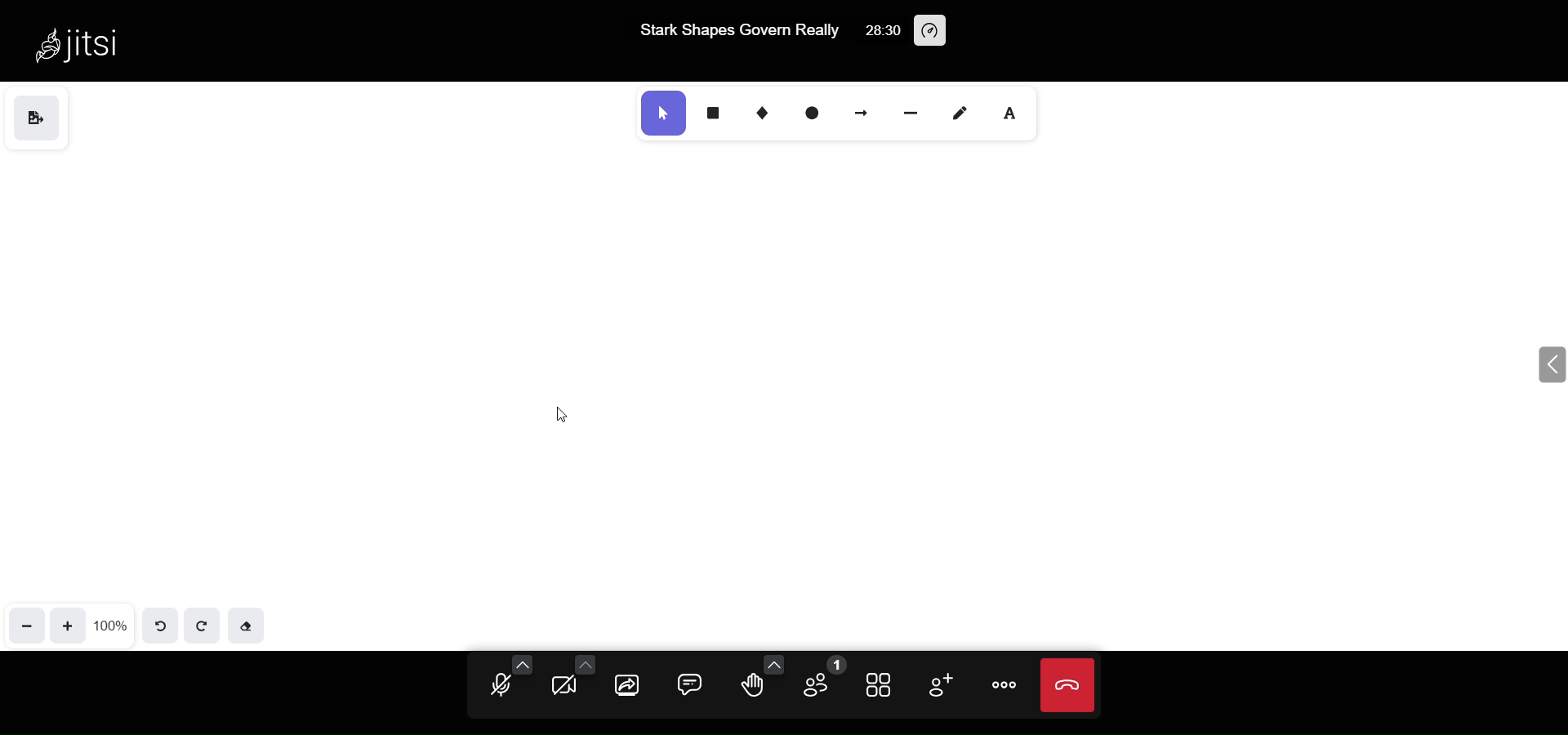  What do you see at coordinates (814, 111) in the screenshot?
I see `ellipse` at bounding box center [814, 111].